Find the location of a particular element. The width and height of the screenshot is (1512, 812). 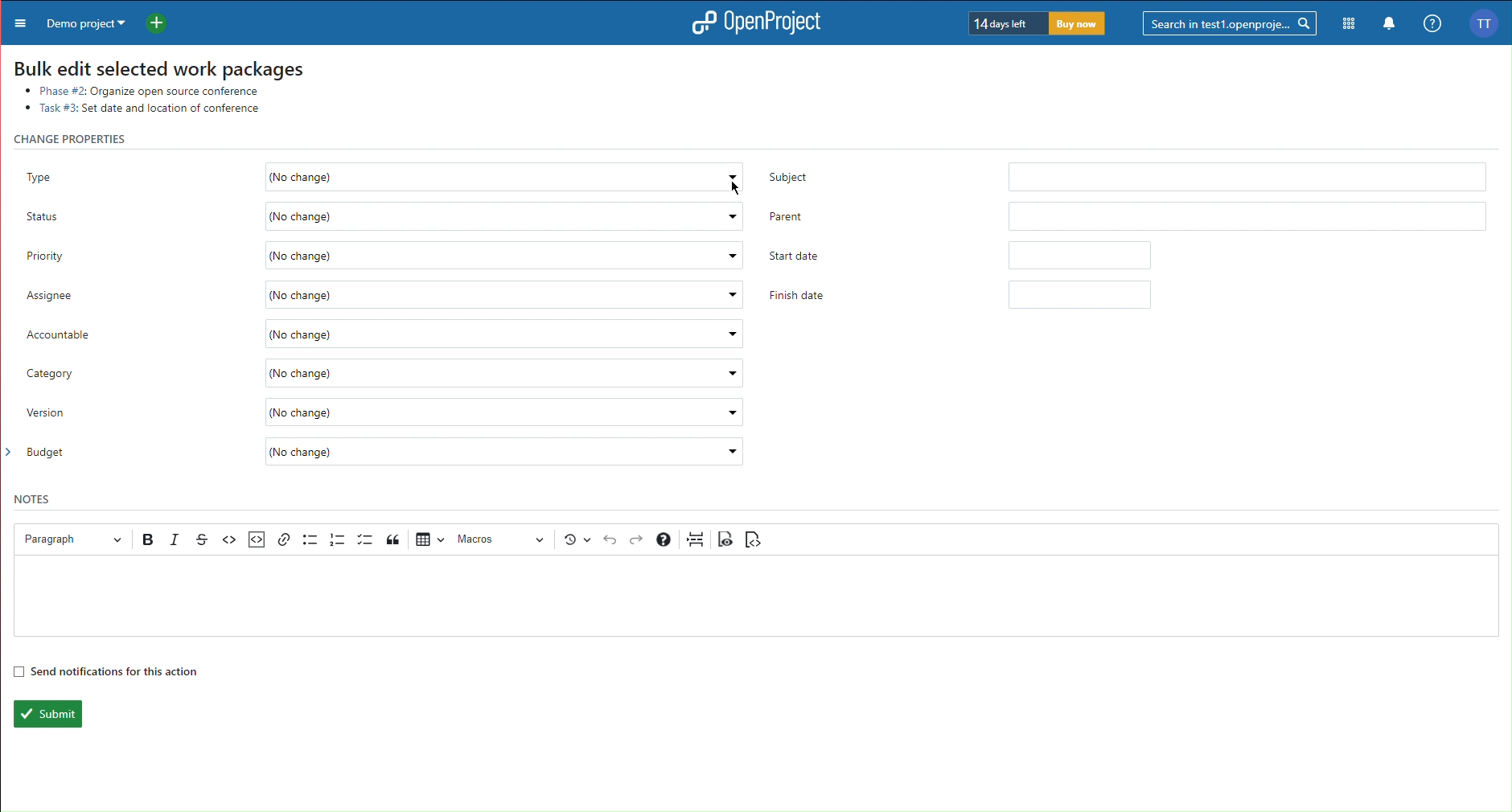

OpenProject is located at coordinates (751, 24).